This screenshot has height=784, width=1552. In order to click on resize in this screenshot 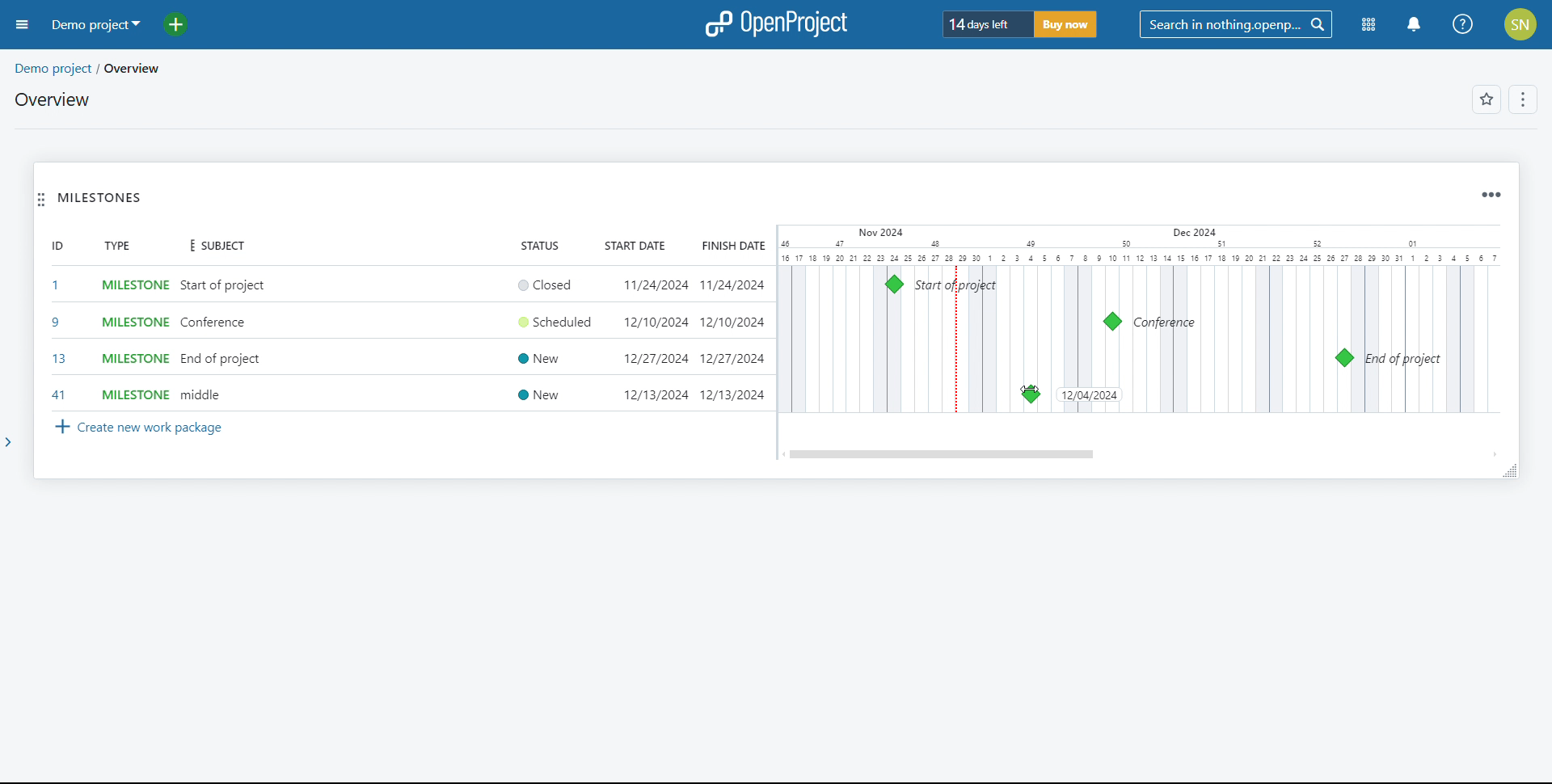, I will do `click(1509, 470)`.